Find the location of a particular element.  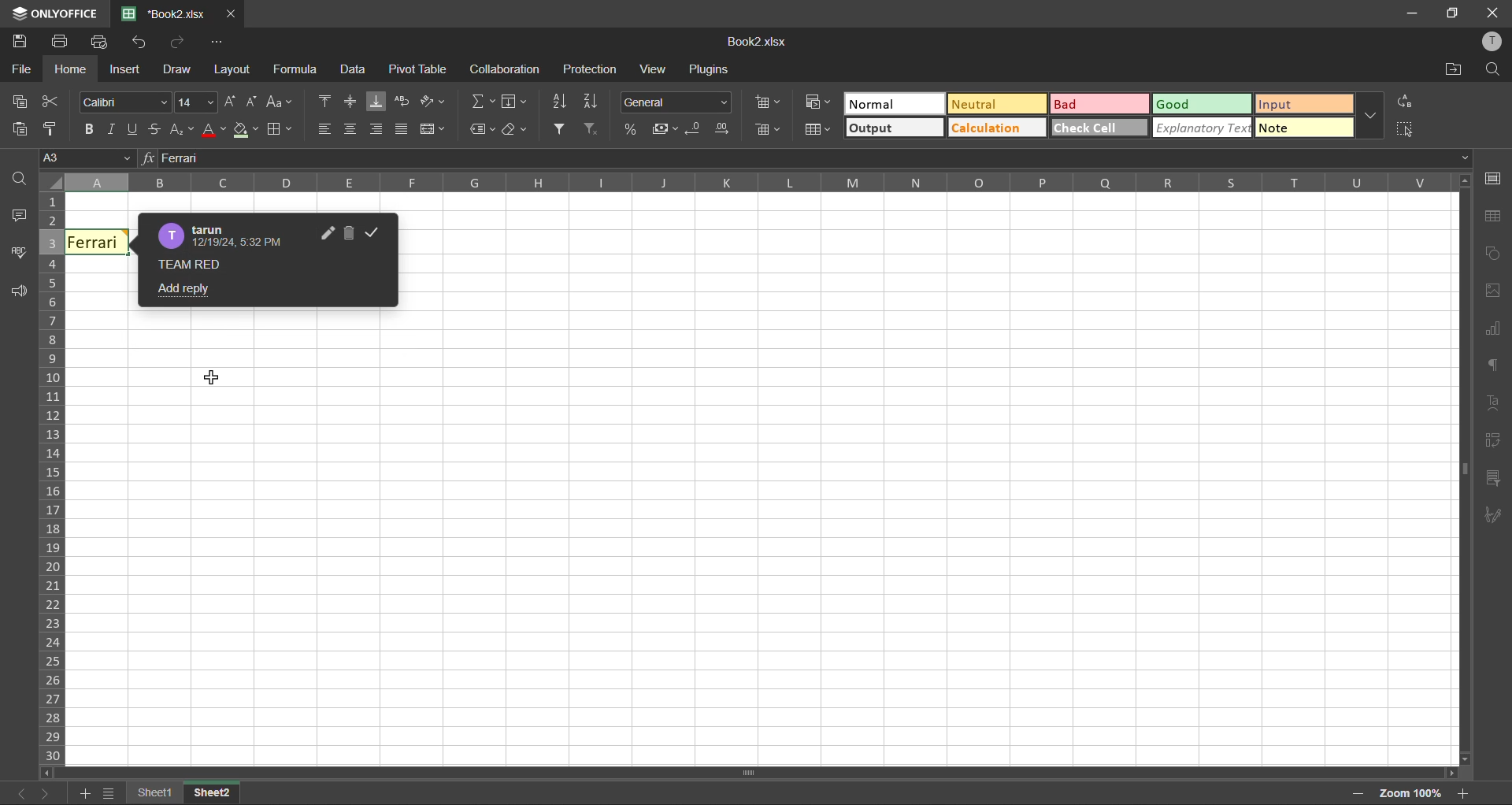

Book2.xlsx is located at coordinates (165, 12).